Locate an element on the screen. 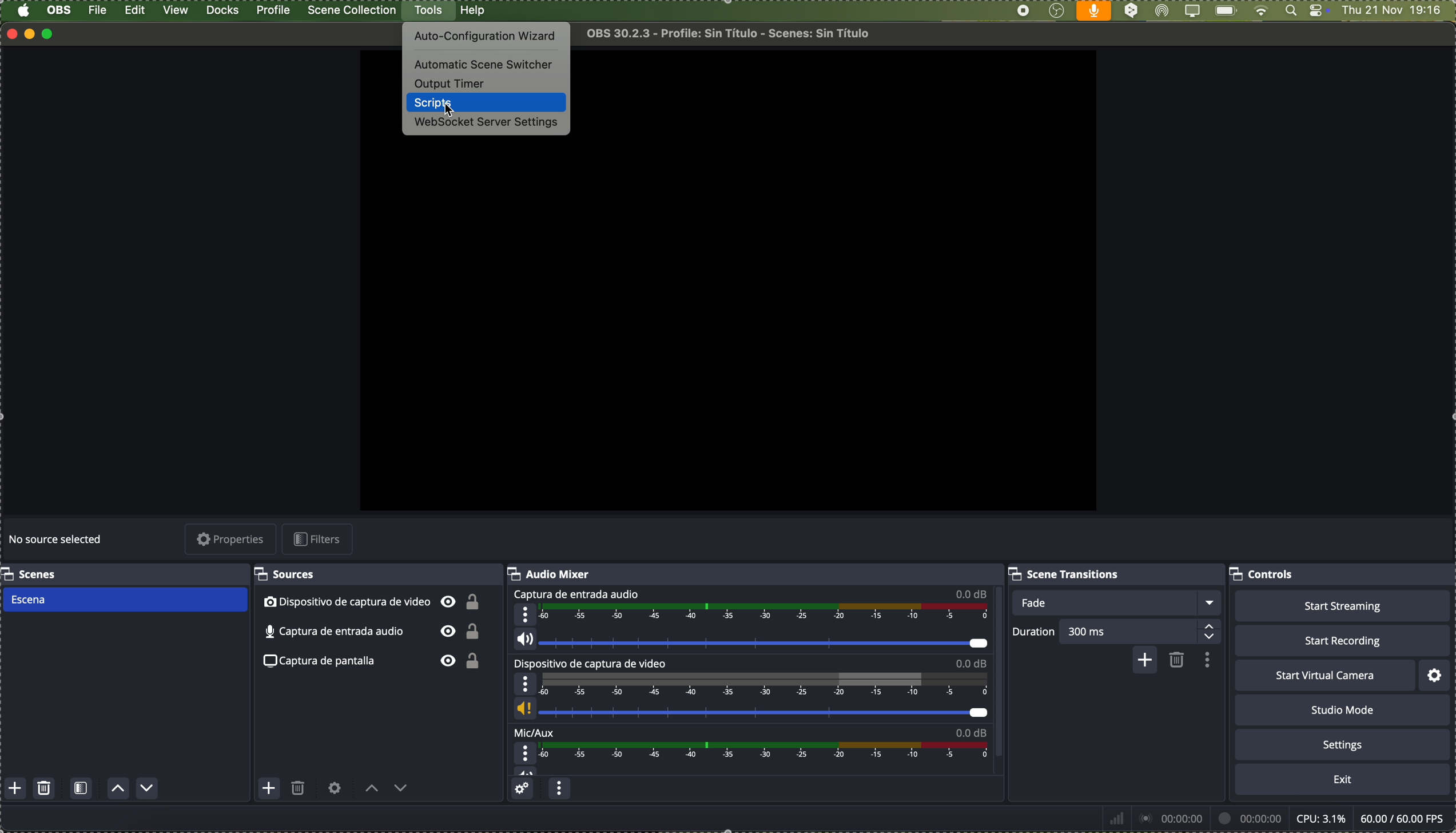 This screenshot has height=833, width=1456. docks is located at coordinates (223, 11).